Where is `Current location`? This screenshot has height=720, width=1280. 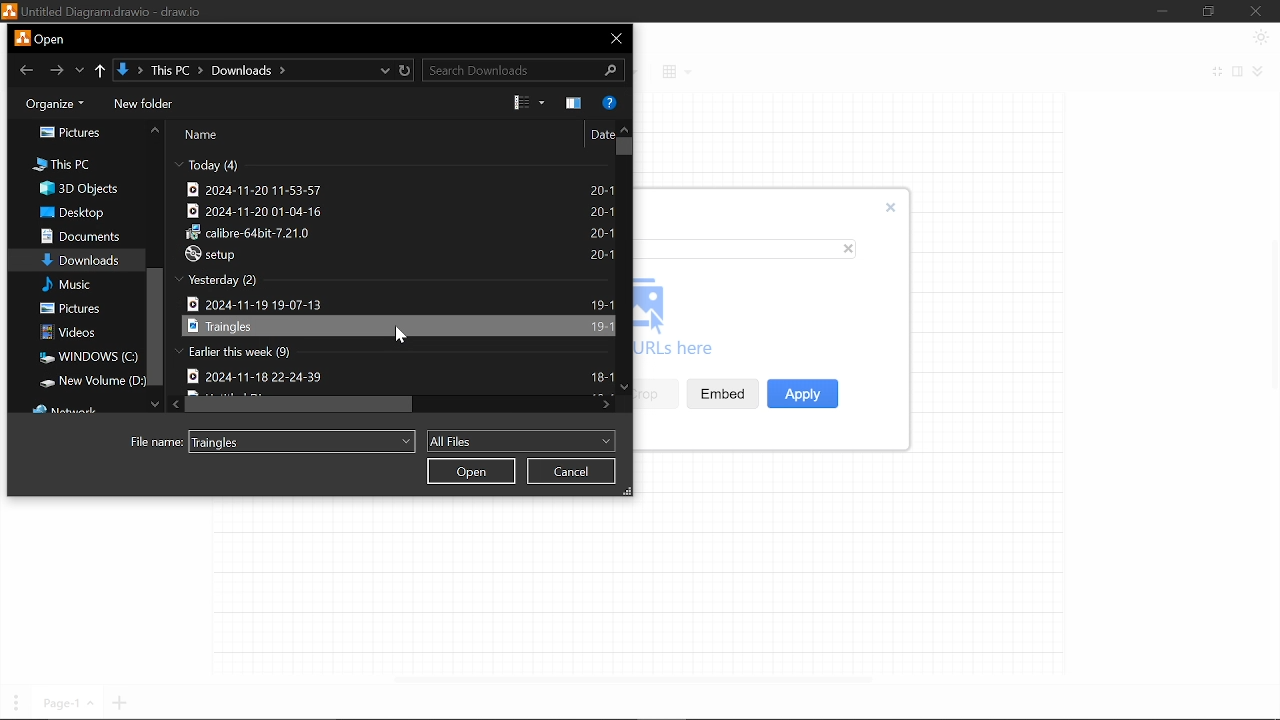
Current location is located at coordinates (386, 72).